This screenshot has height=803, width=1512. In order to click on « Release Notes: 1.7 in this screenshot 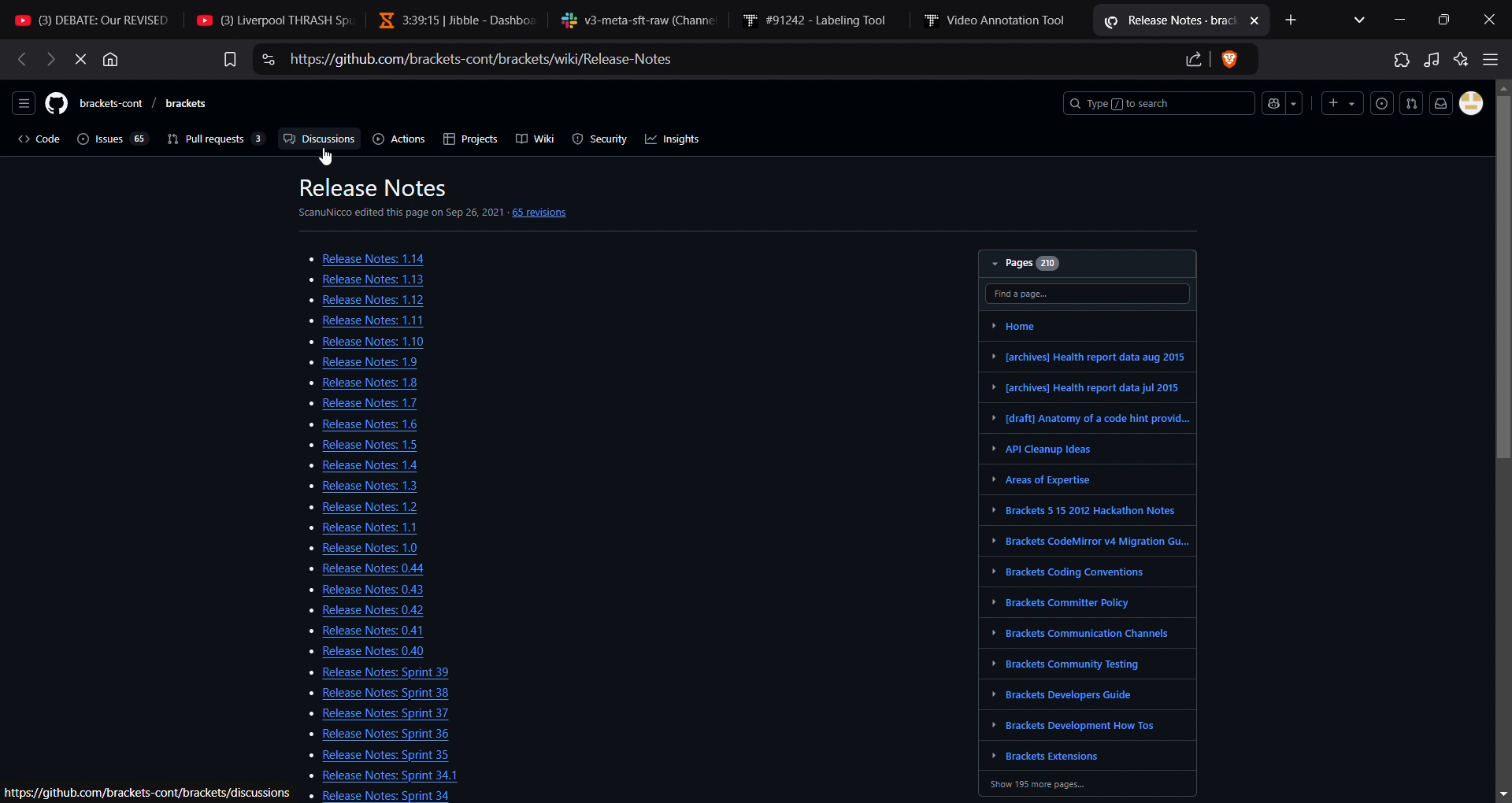, I will do `click(352, 401)`.